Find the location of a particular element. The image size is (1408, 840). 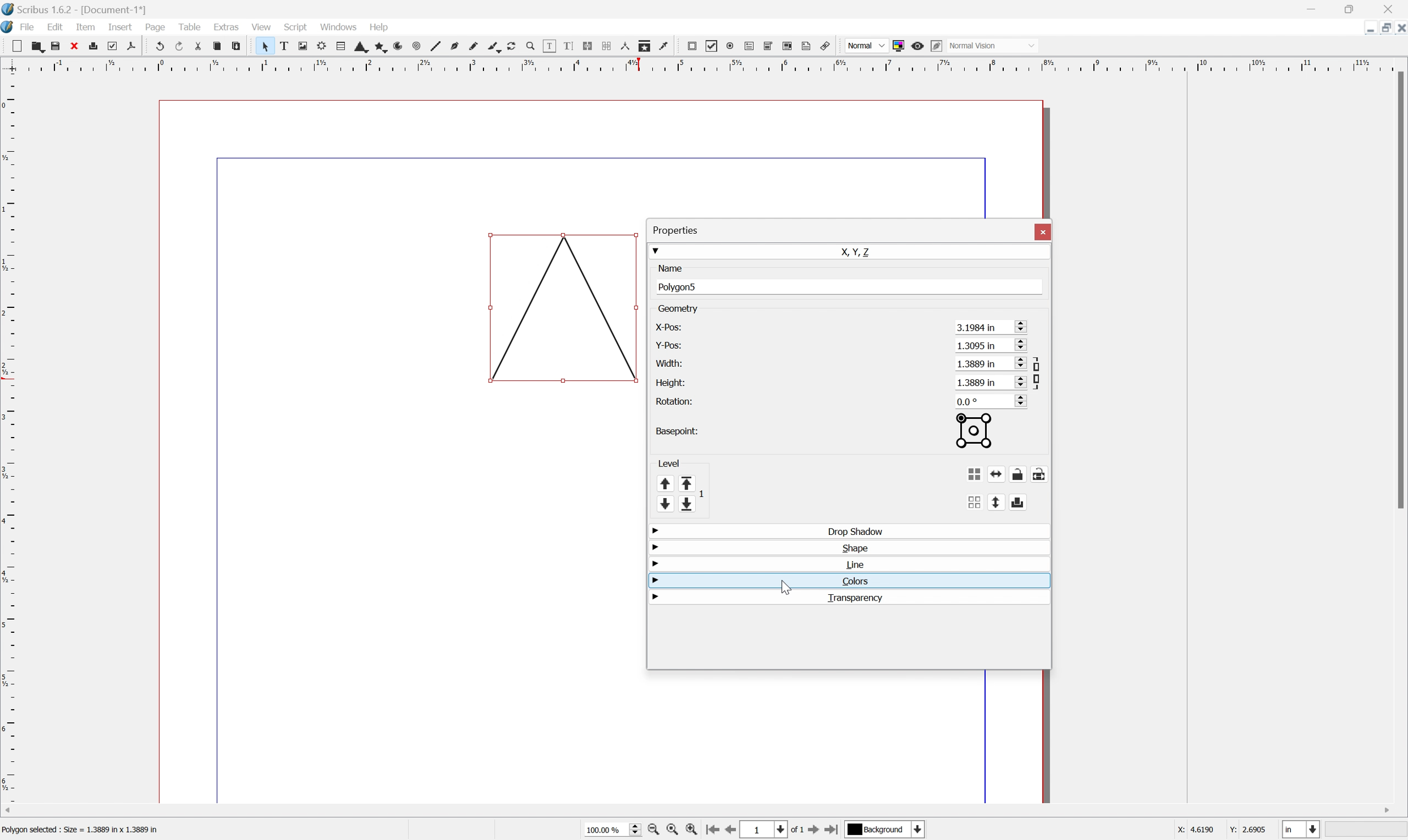

Polygon5 is located at coordinates (681, 286).